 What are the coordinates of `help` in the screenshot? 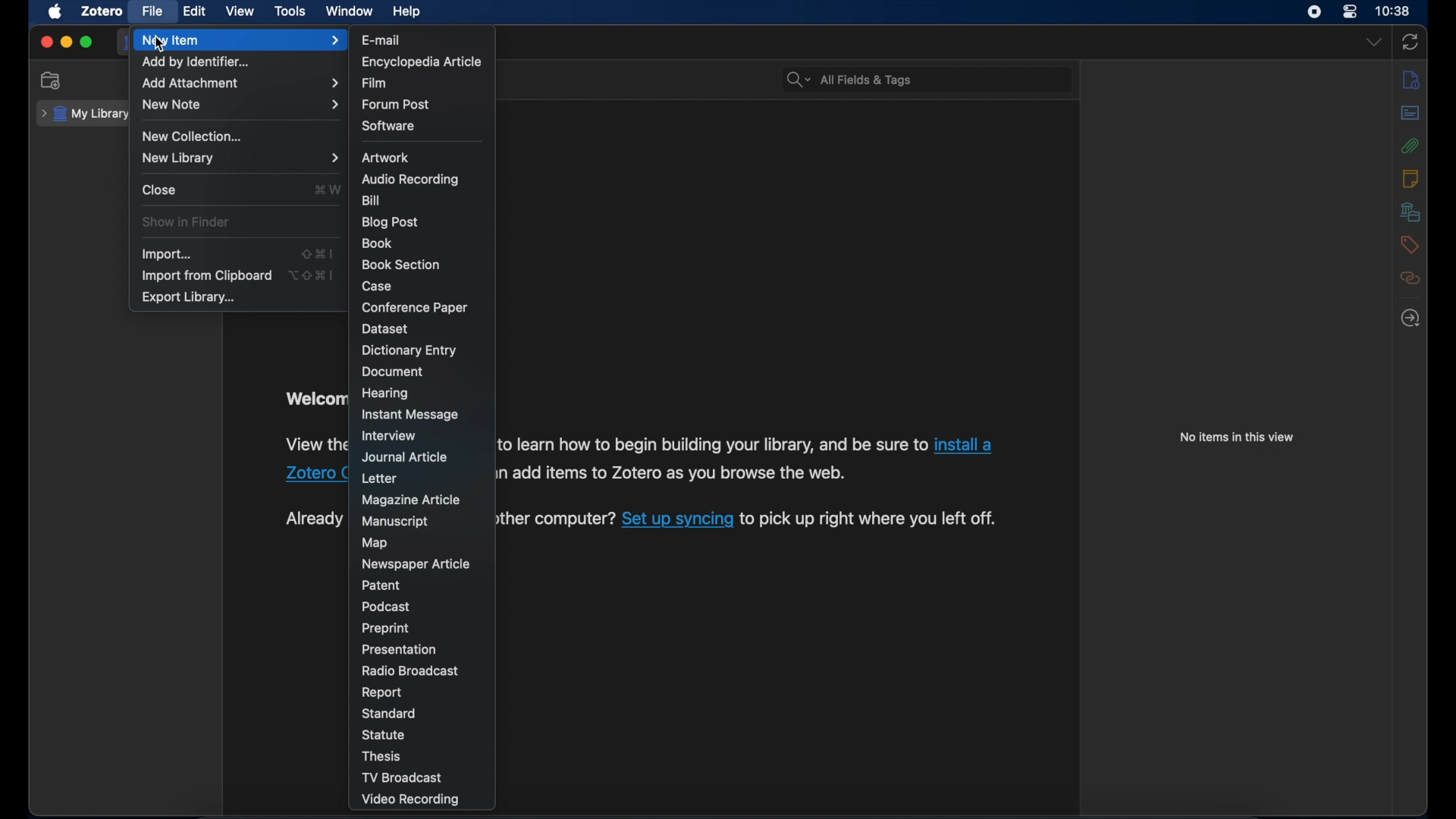 It's located at (408, 12).